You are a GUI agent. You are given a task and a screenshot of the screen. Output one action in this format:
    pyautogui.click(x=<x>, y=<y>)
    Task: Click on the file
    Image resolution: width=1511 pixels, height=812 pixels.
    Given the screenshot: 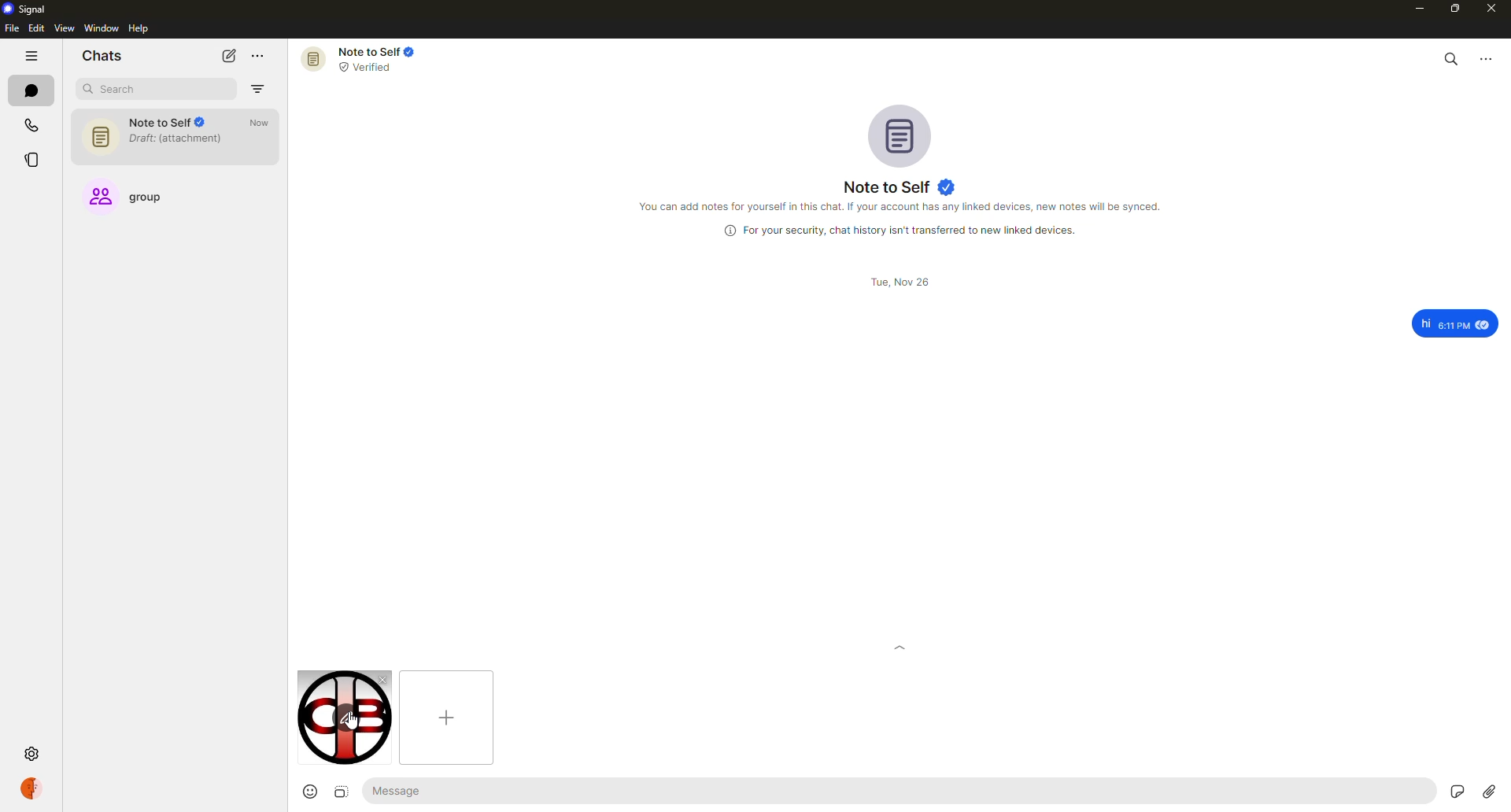 What is the action you would take?
    pyautogui.click(x=11, y=28)
    